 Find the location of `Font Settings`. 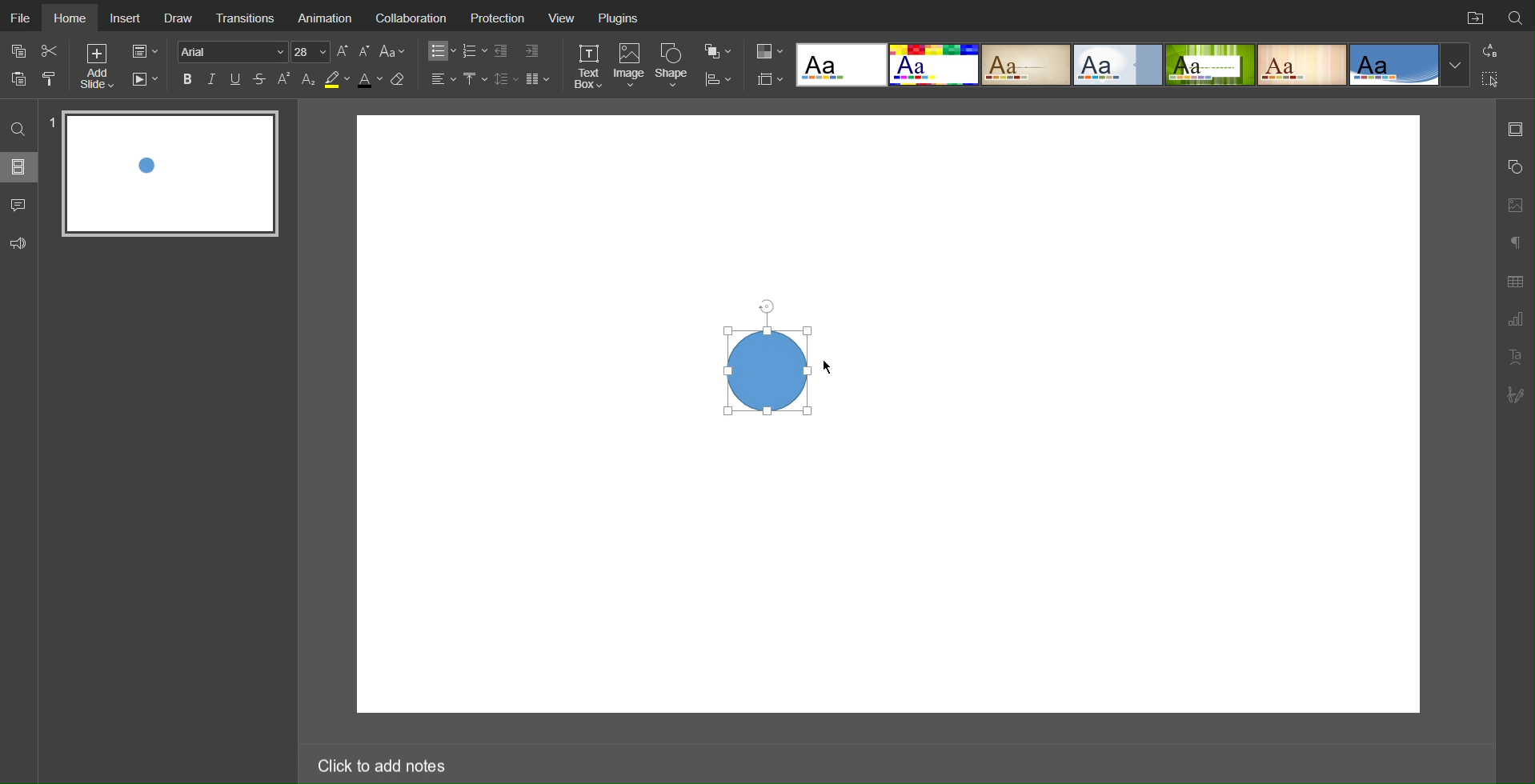

Font Settings is located at coordinates (251, 51).